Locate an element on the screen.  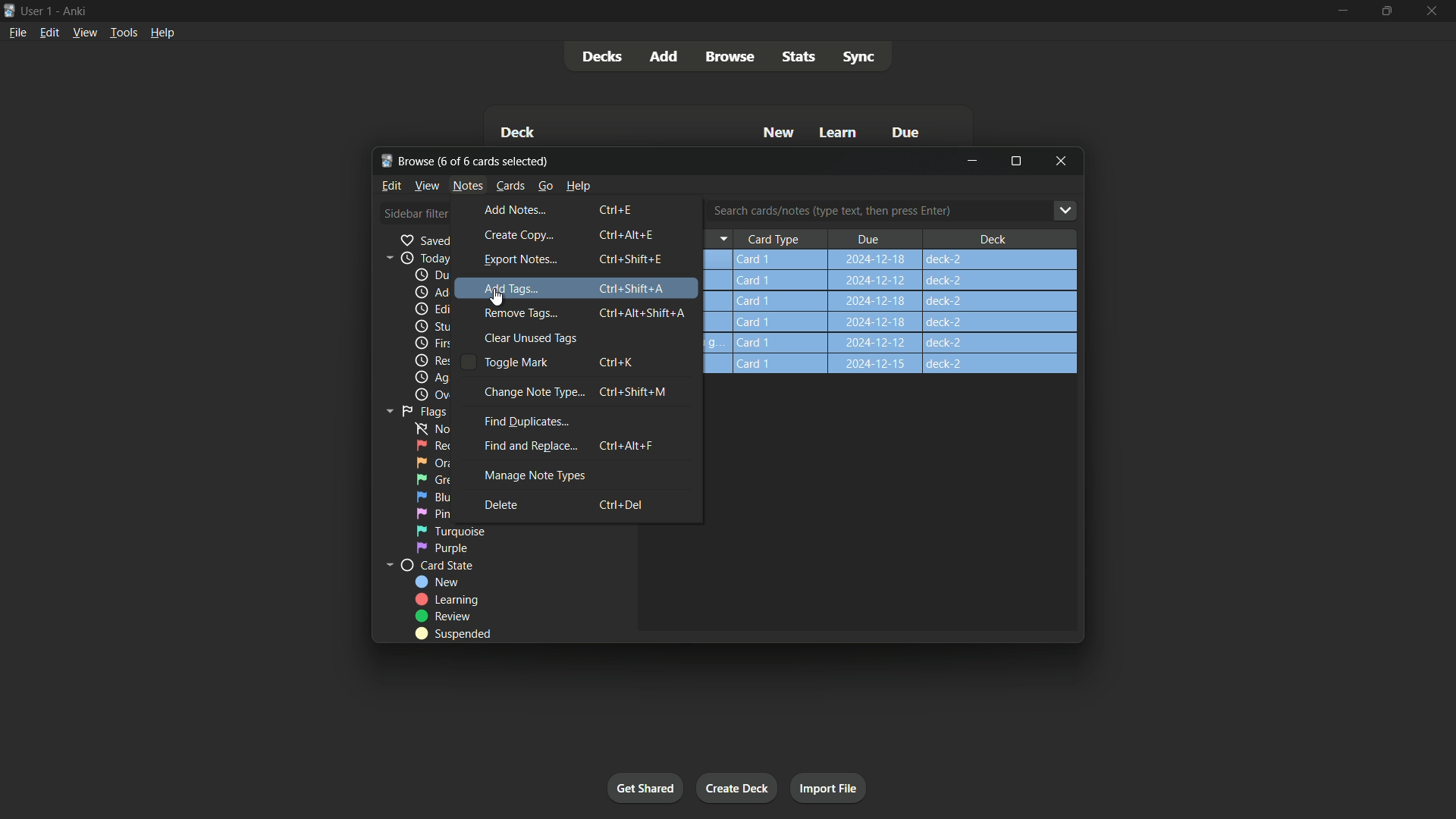
maximize is located at coordinates (1390, 11).